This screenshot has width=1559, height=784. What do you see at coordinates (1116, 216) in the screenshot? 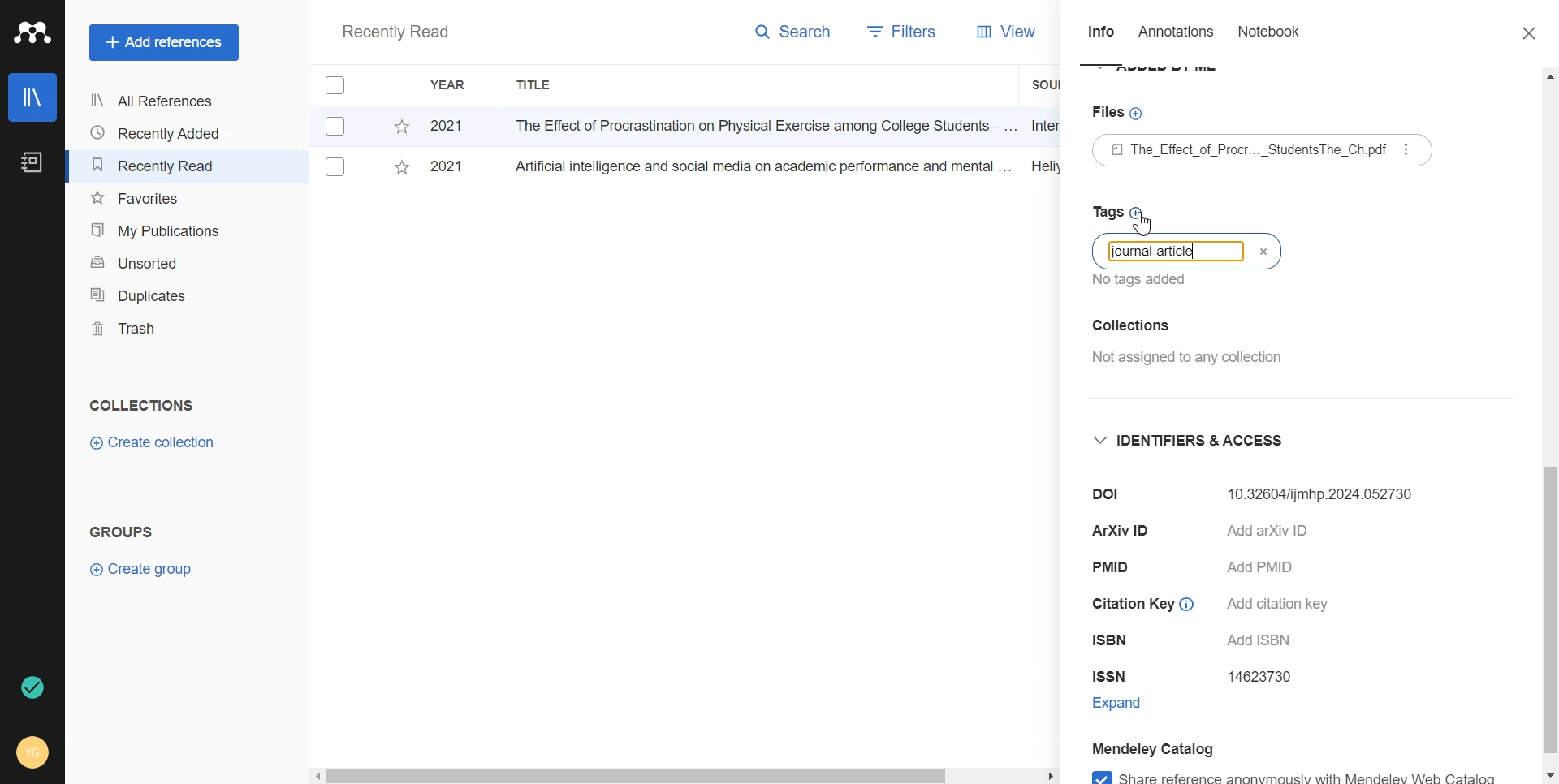
I see `Tags` at bounding box center [1116, 216].